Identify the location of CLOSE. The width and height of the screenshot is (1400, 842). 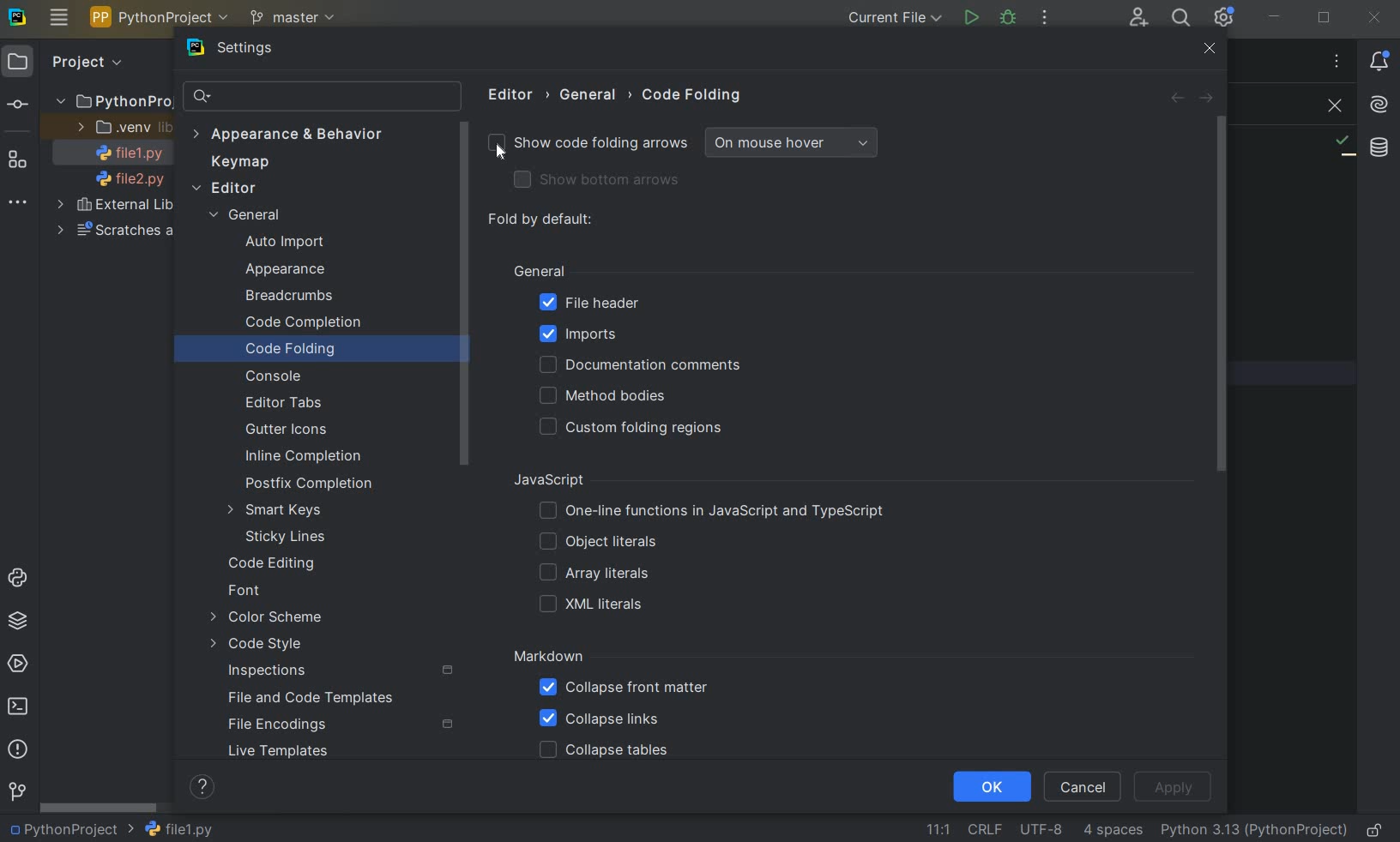
(1331, 106).